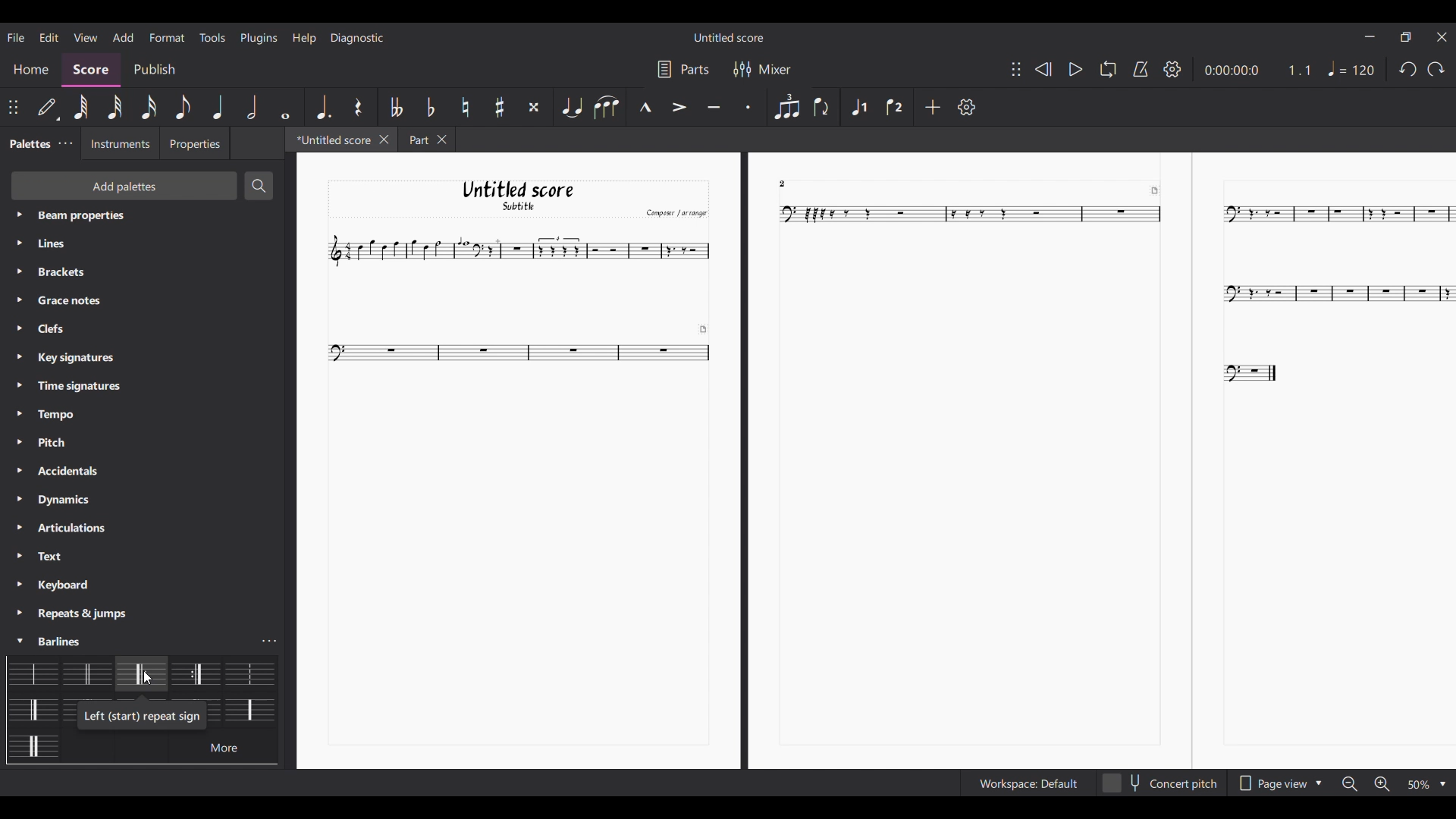  Describe the element at coordinates (714, 108) in the screenshot. I see `Tenuto` at that location.